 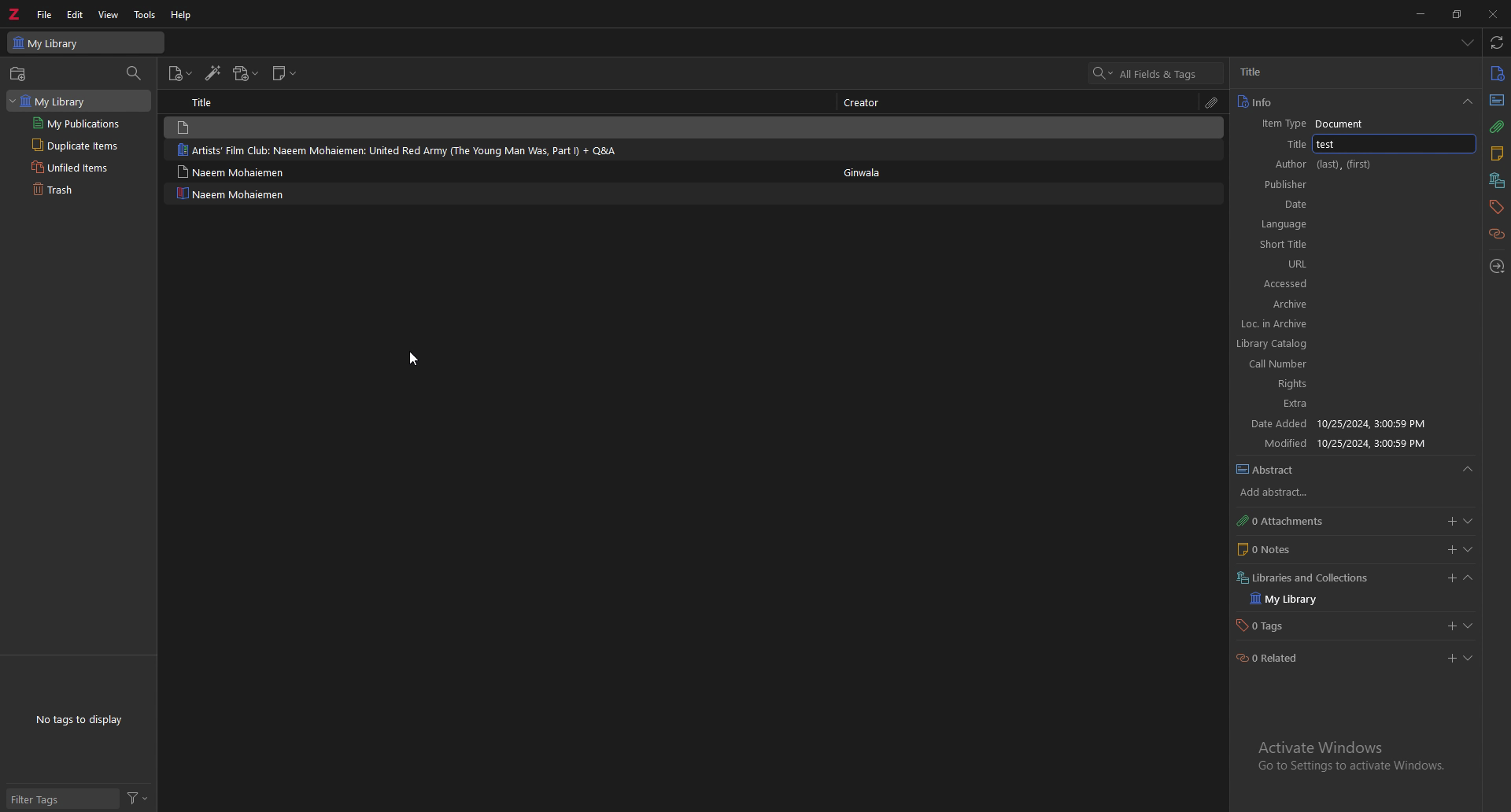 I want to click on ISBN, so click(x=1278, y=383).